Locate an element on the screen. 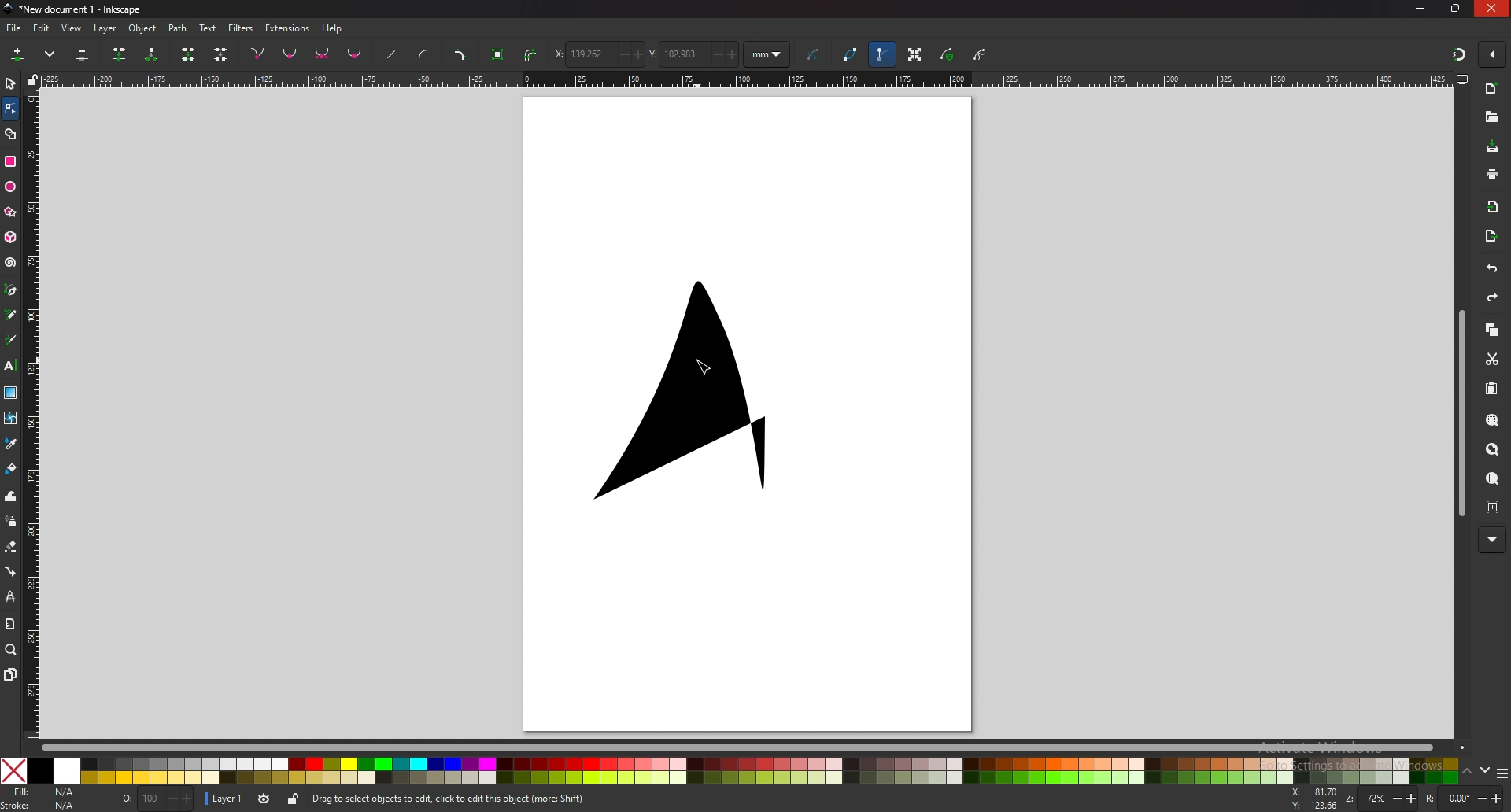  text is located at coordinates (208, 28).